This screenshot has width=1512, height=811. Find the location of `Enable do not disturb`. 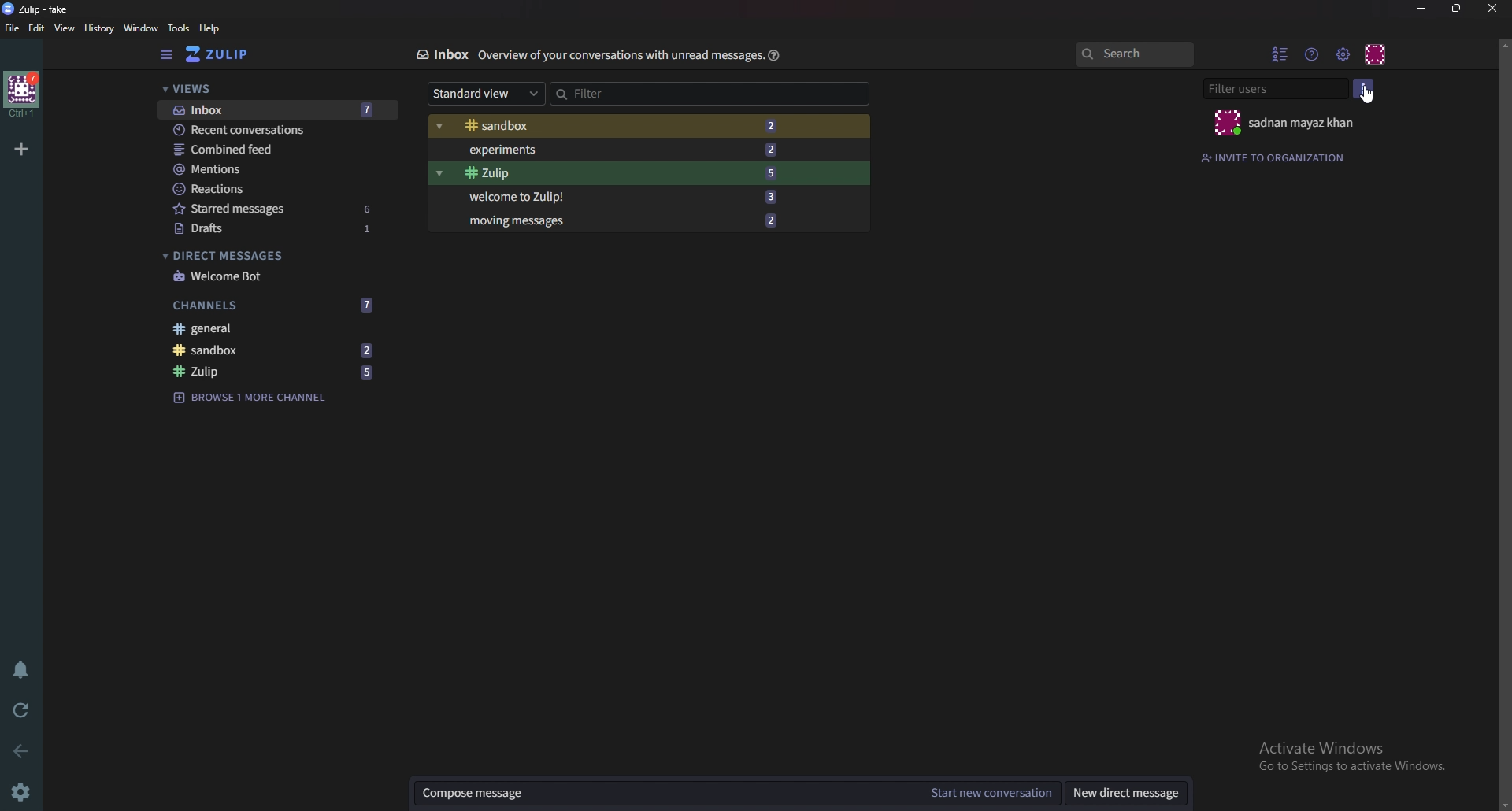

Enable do not disturb is located at coordinates (22, 672).